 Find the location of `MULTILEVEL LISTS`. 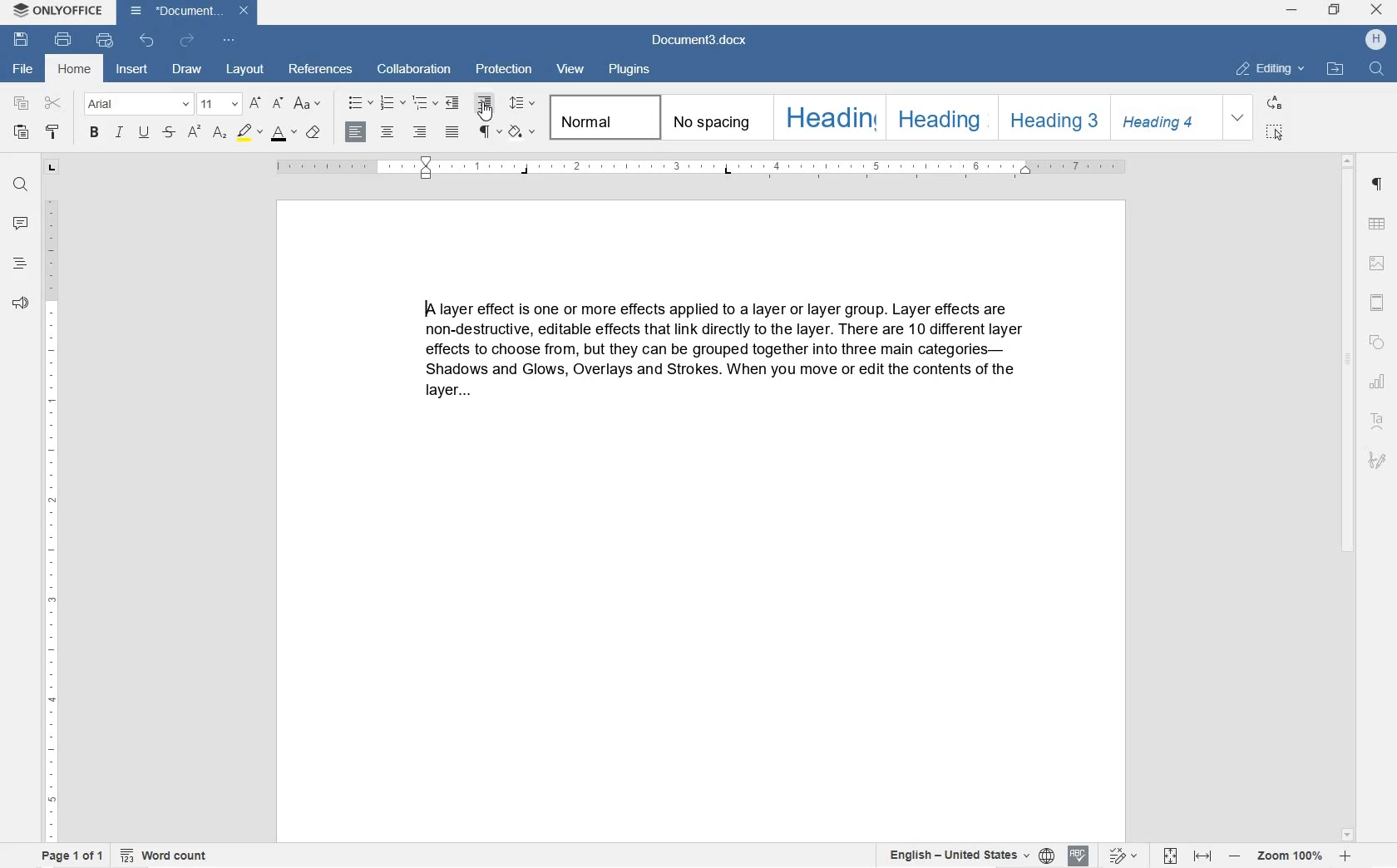

MULTILEVEL LISTS is located at coordinates (425, 104).